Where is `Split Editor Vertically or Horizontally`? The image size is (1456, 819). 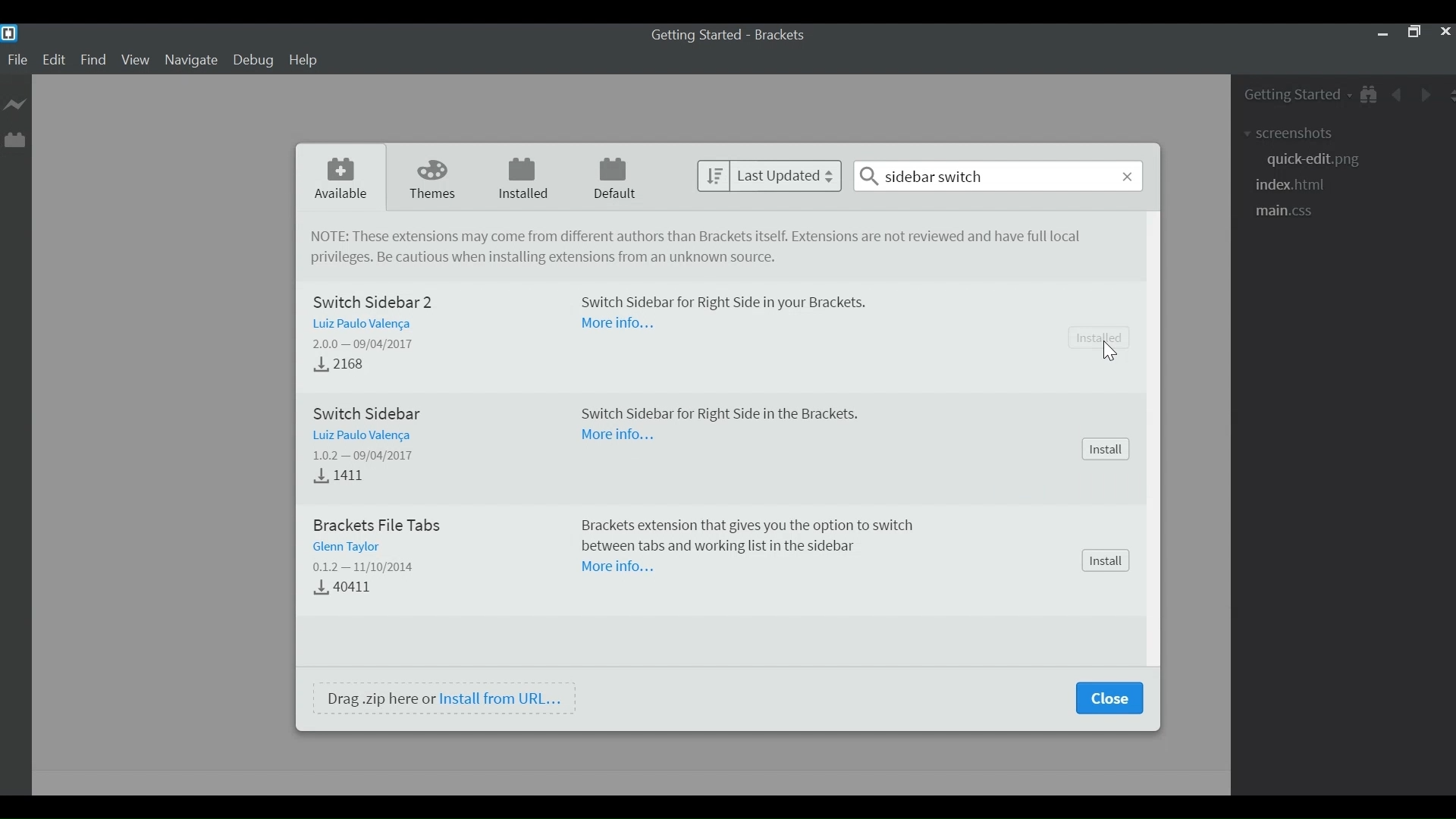
Split Editor Vertically or Horizontally is located at coordinates (1447, 94).